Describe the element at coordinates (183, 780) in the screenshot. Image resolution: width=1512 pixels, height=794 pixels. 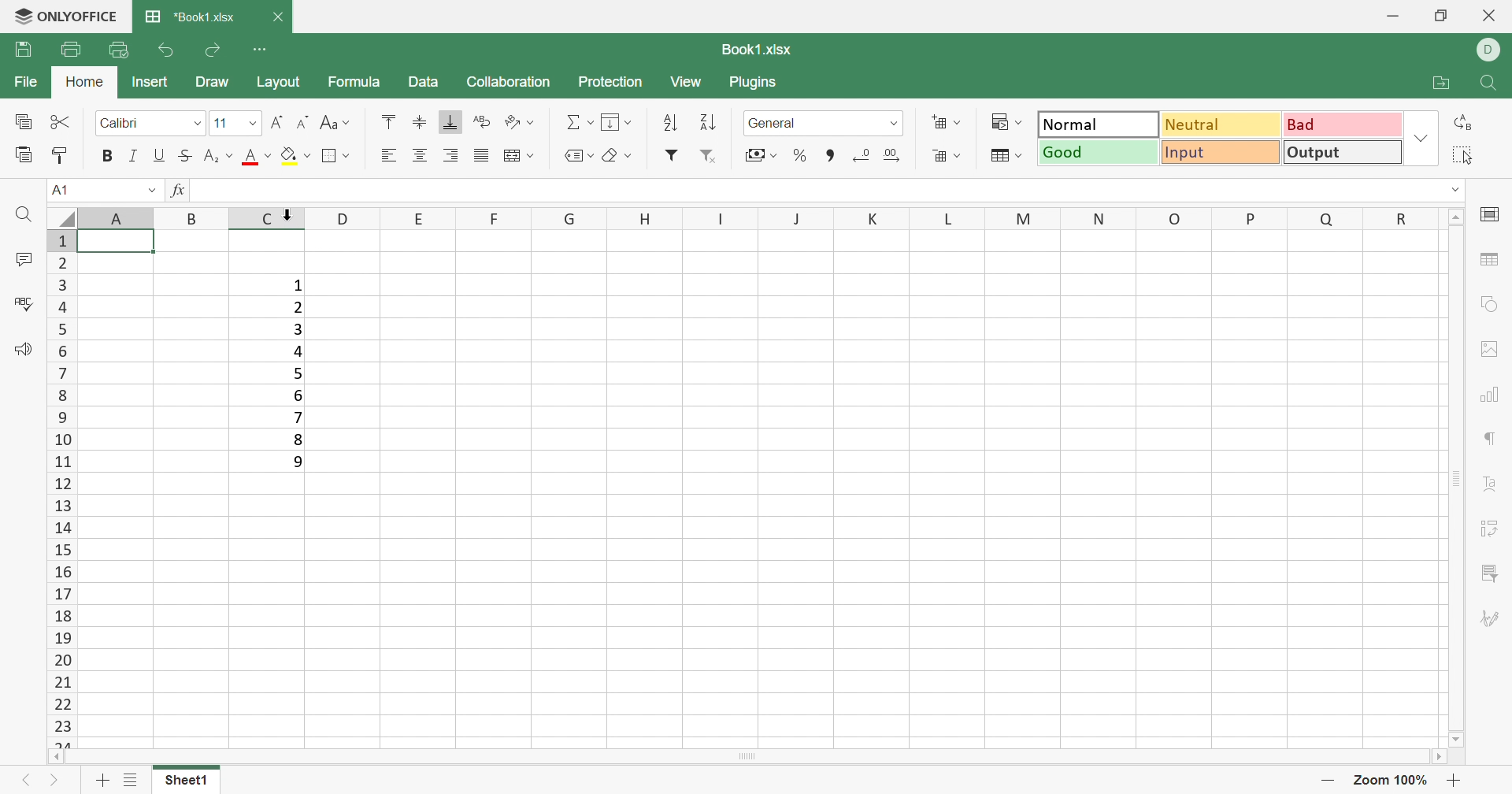
I see `Sheet1` at that location.